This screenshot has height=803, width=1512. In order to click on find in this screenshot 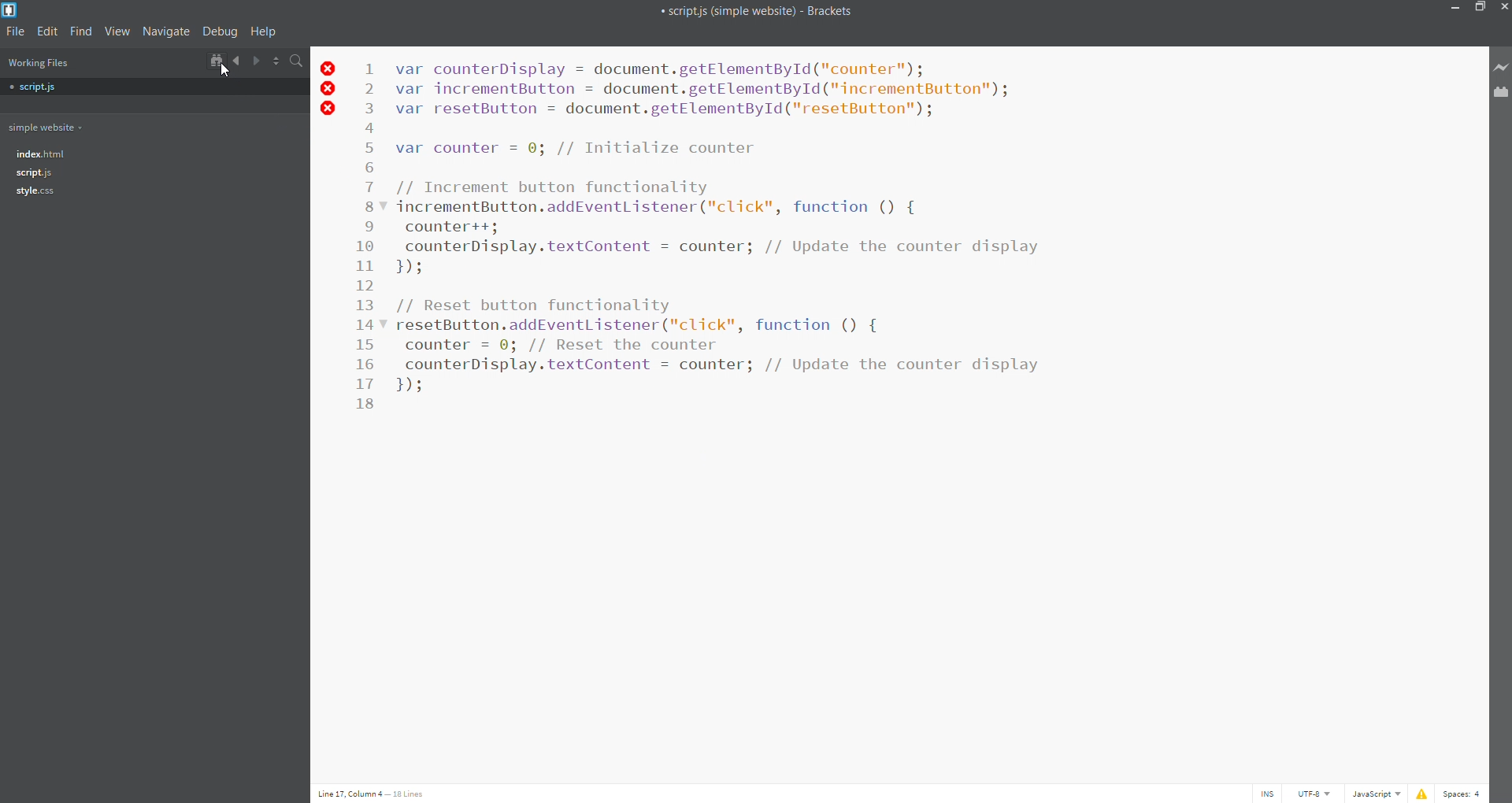, I will do `click(82, 31)`.